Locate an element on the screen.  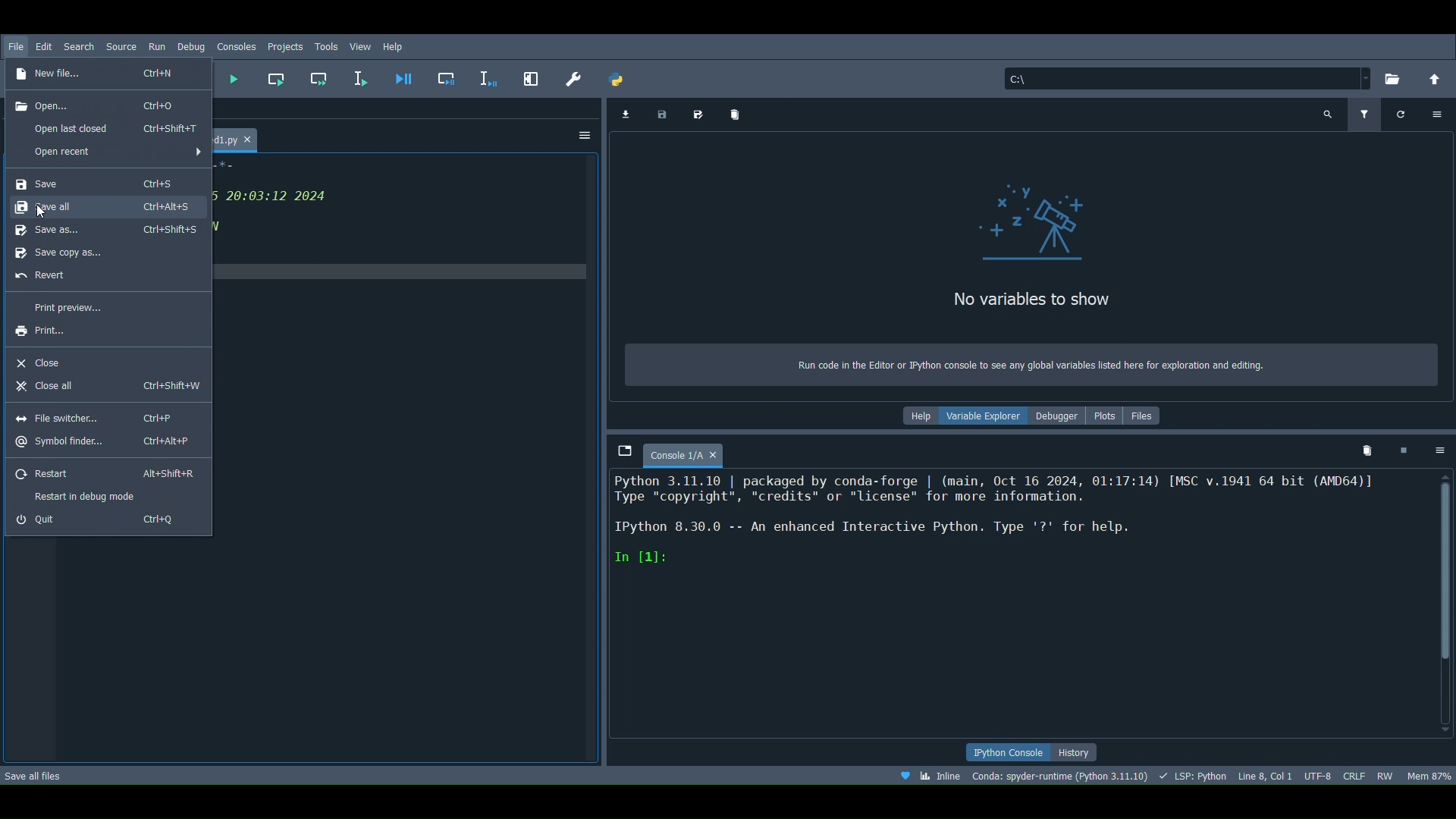
Remove all variables is located at coordinates (736, 115).